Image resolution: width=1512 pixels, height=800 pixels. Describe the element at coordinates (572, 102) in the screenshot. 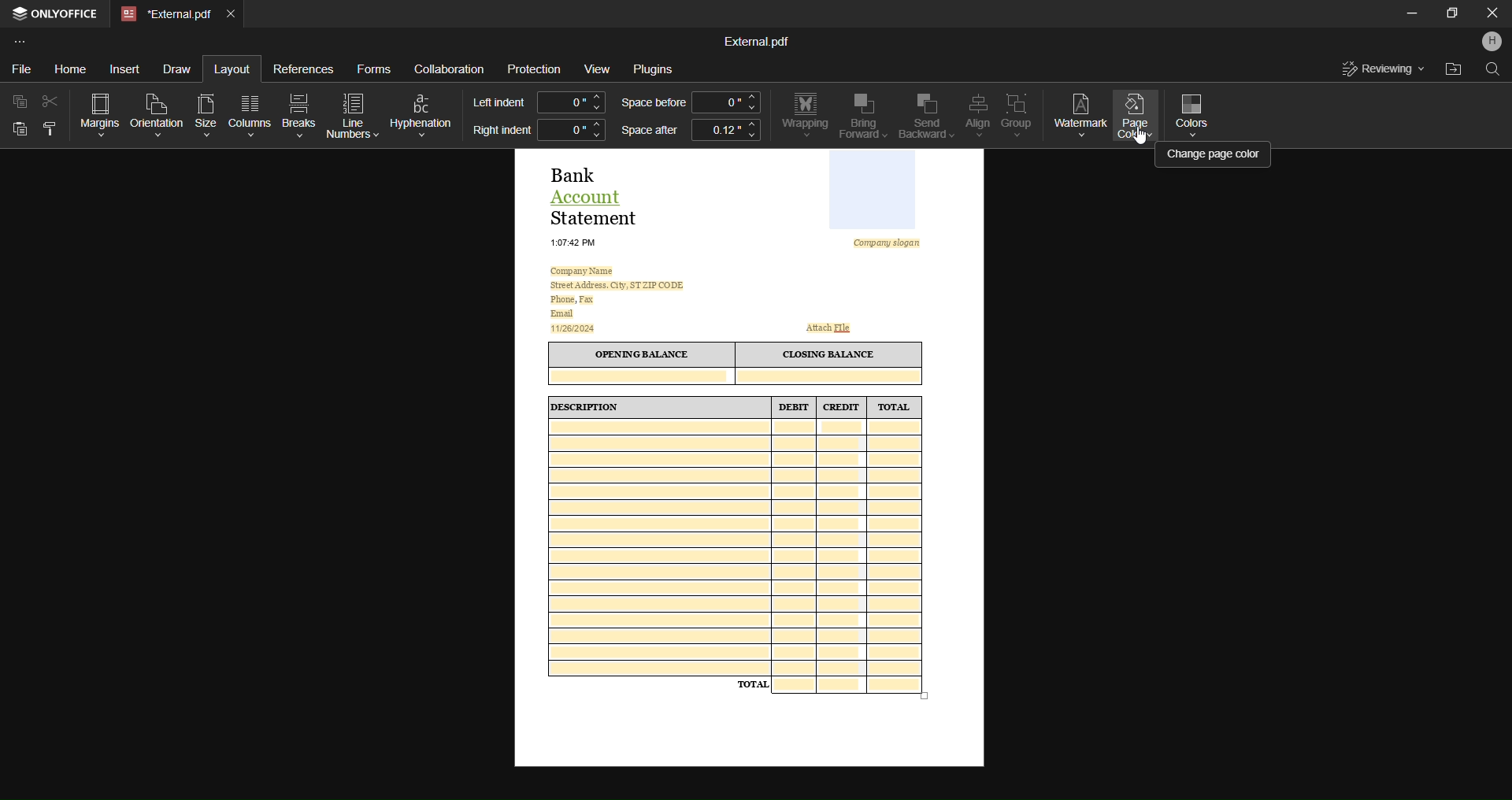

I see `Adjust Left Indent` at that location.